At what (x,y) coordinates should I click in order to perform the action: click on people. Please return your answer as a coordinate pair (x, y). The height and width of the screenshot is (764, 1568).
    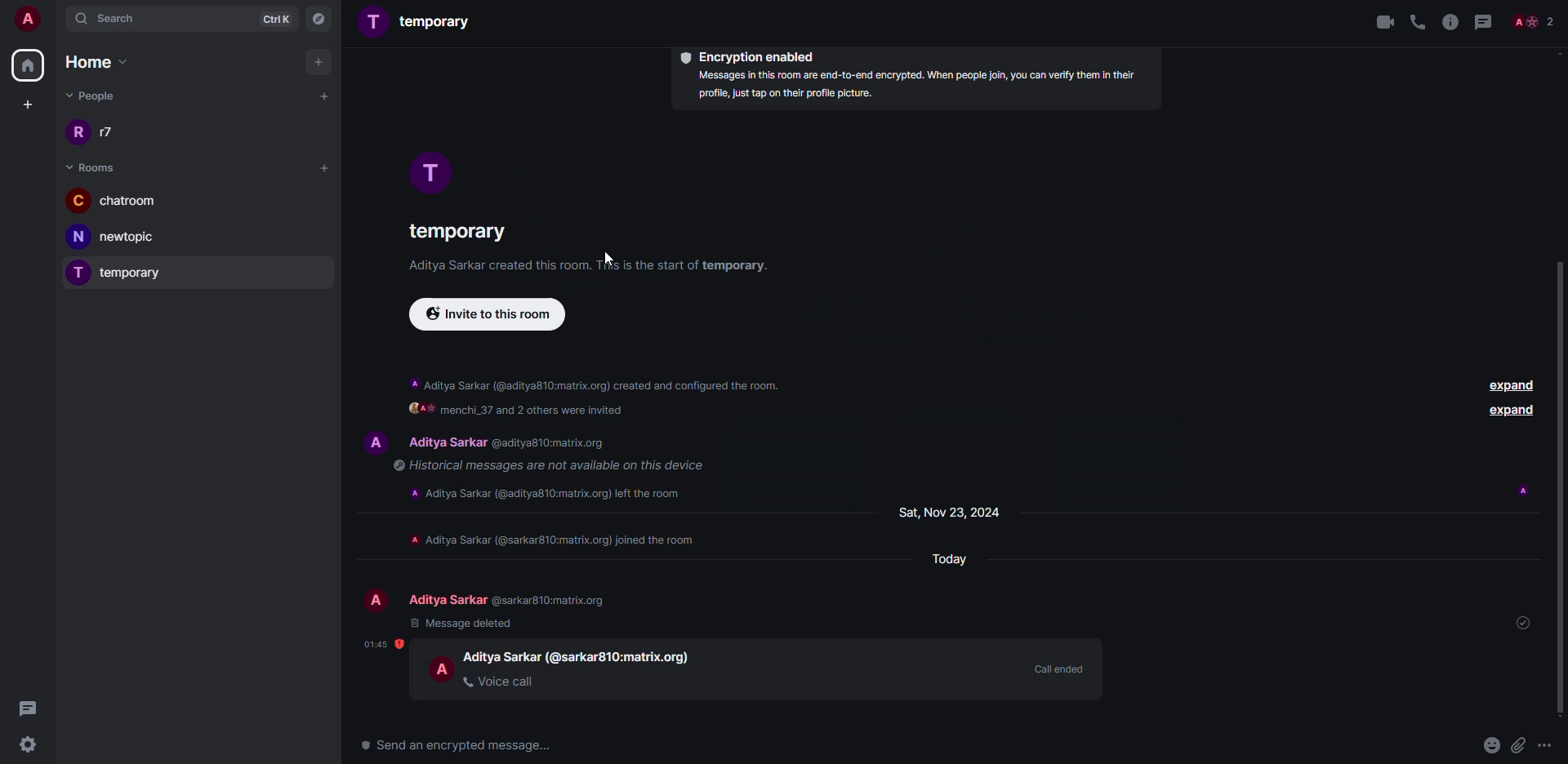
    Looking at the image, I should click on (1535, 20).